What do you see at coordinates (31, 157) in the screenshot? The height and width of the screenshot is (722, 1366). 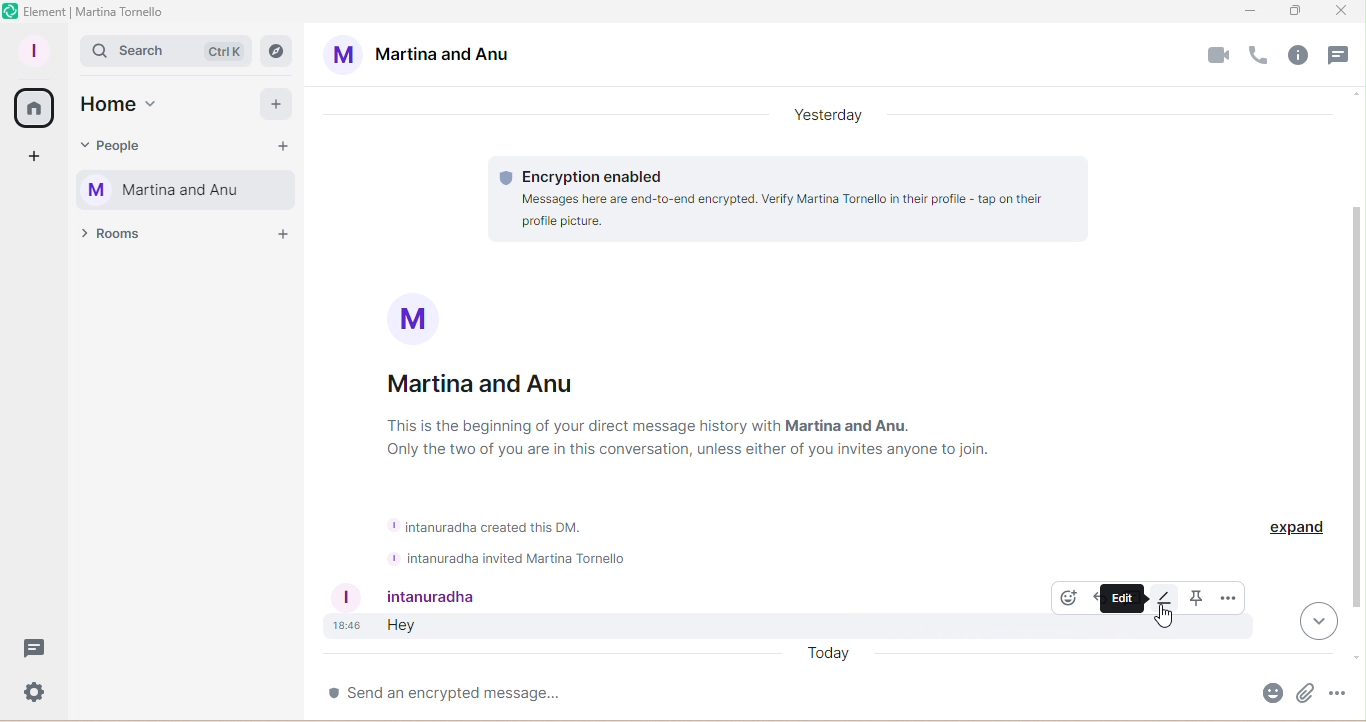 I see `Create a space` at bounding box center [31, 157].